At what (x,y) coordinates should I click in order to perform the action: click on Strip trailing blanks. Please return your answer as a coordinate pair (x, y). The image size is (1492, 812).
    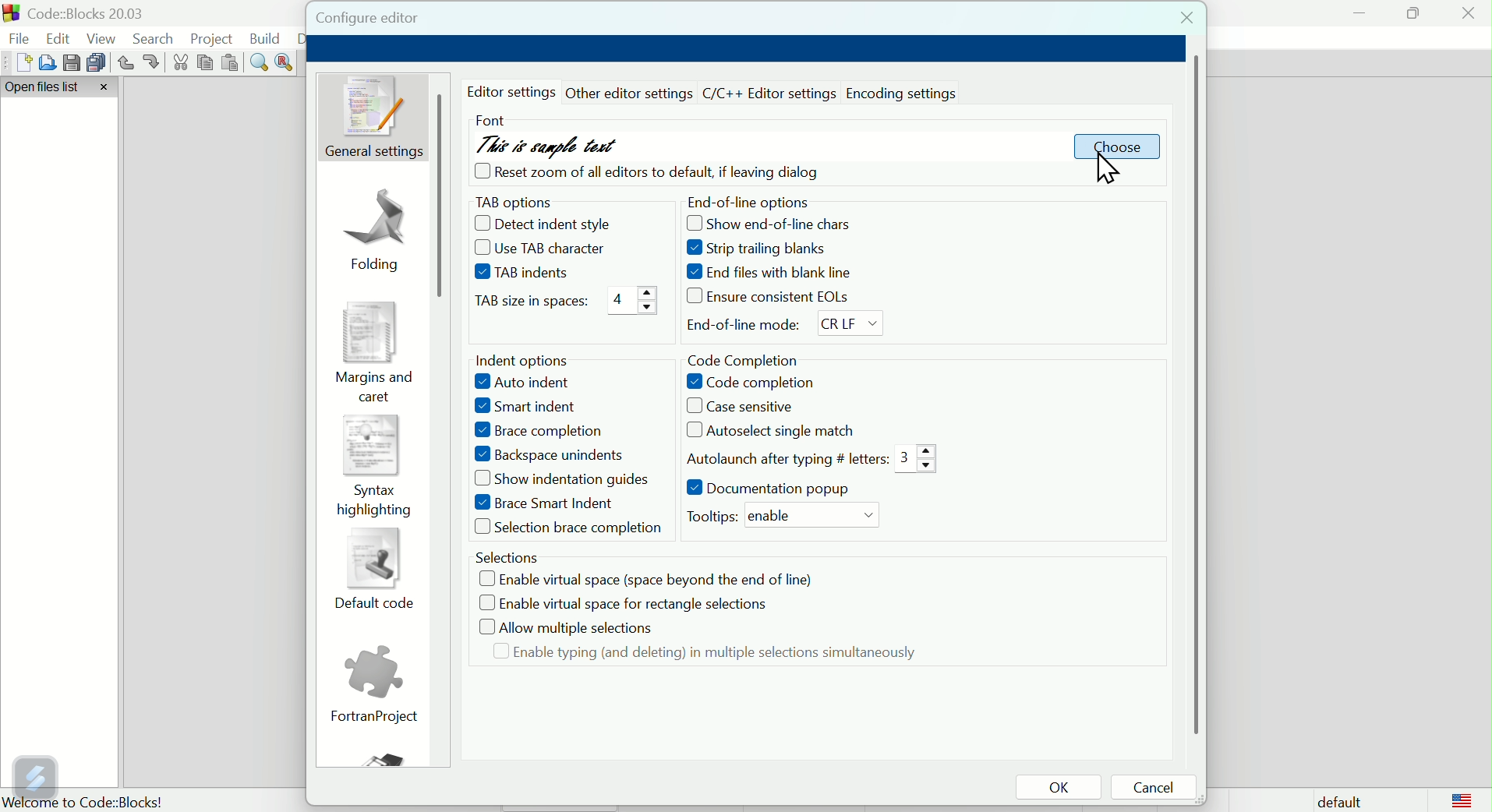
    Looking at the image, I should click on (769, 249).